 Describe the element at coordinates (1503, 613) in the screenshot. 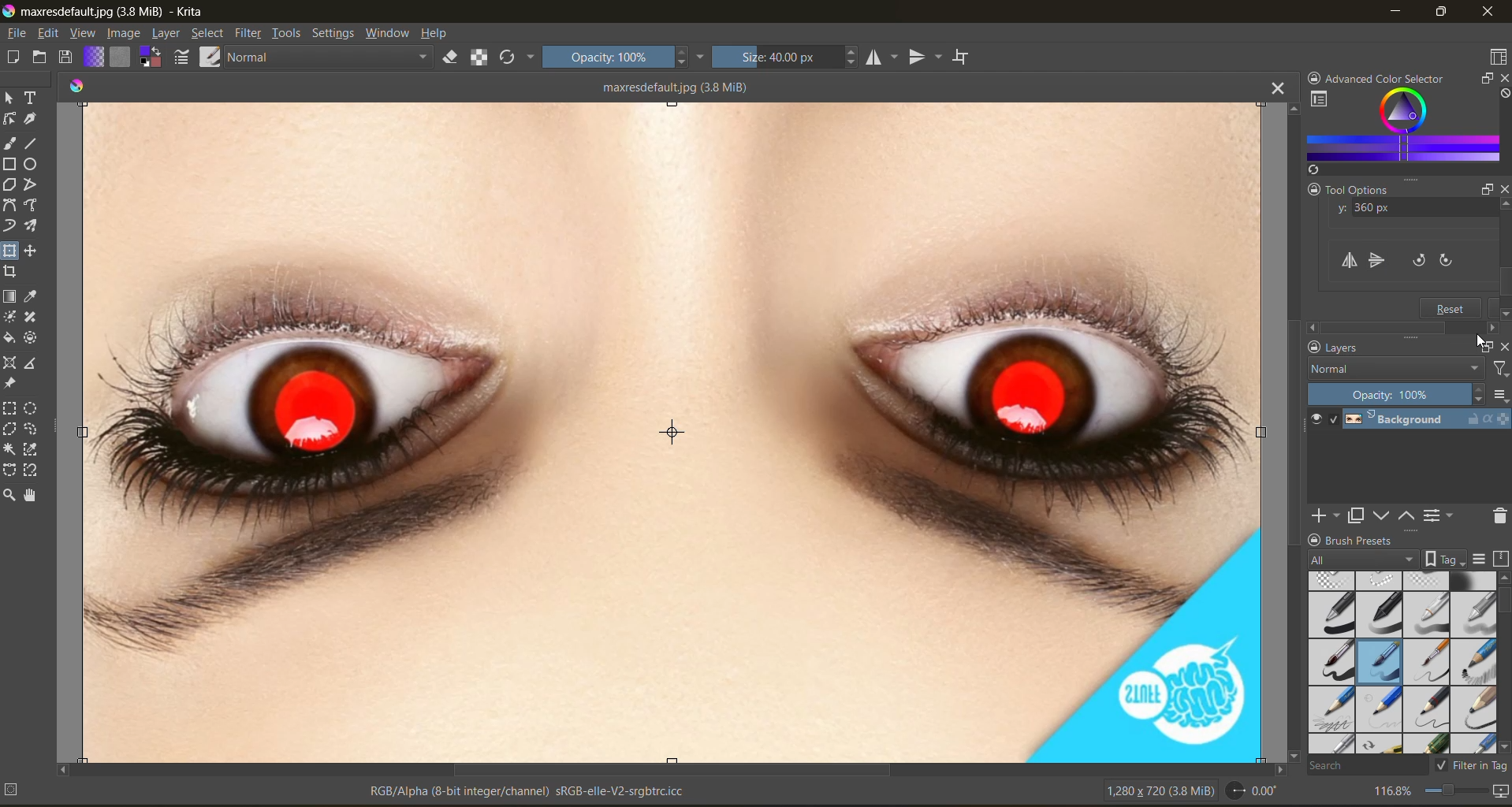

I see `vertical scroll bar` at that location.